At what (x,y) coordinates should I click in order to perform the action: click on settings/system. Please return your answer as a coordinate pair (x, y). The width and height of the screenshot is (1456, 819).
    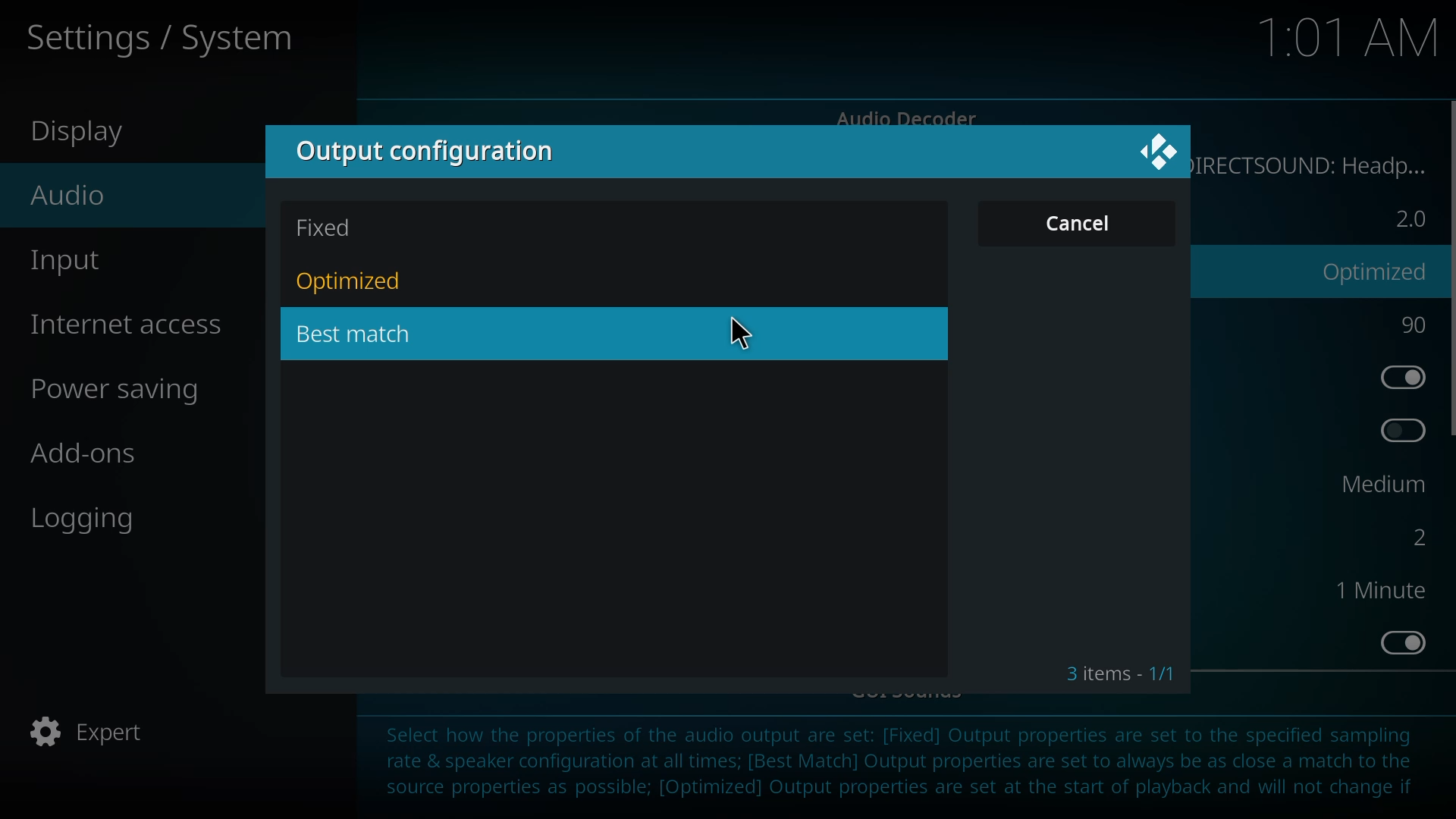
    Looking at the image, I should click on (180, 42).